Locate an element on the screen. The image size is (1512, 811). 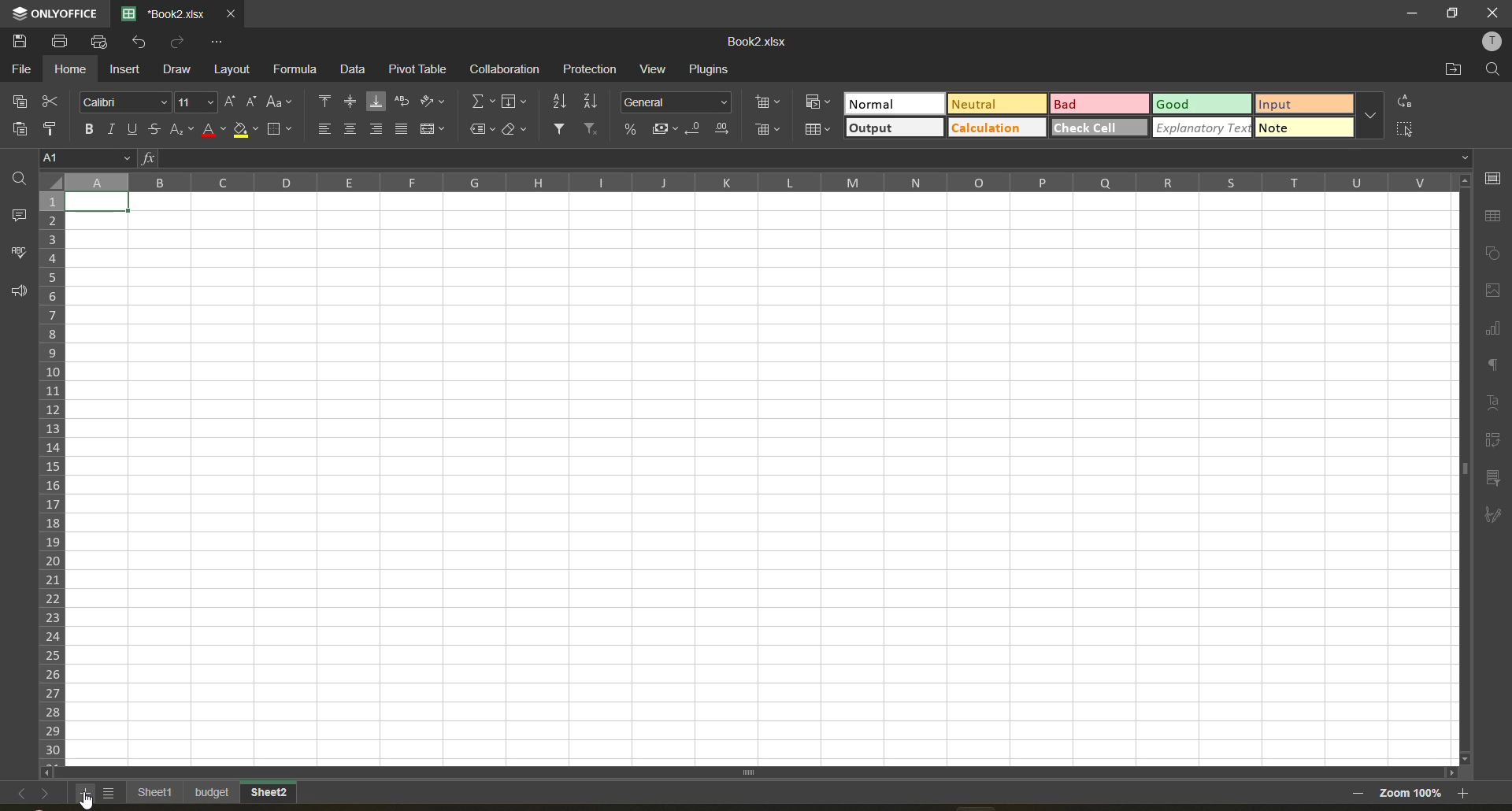
insert is located at coordinates (124, 69).